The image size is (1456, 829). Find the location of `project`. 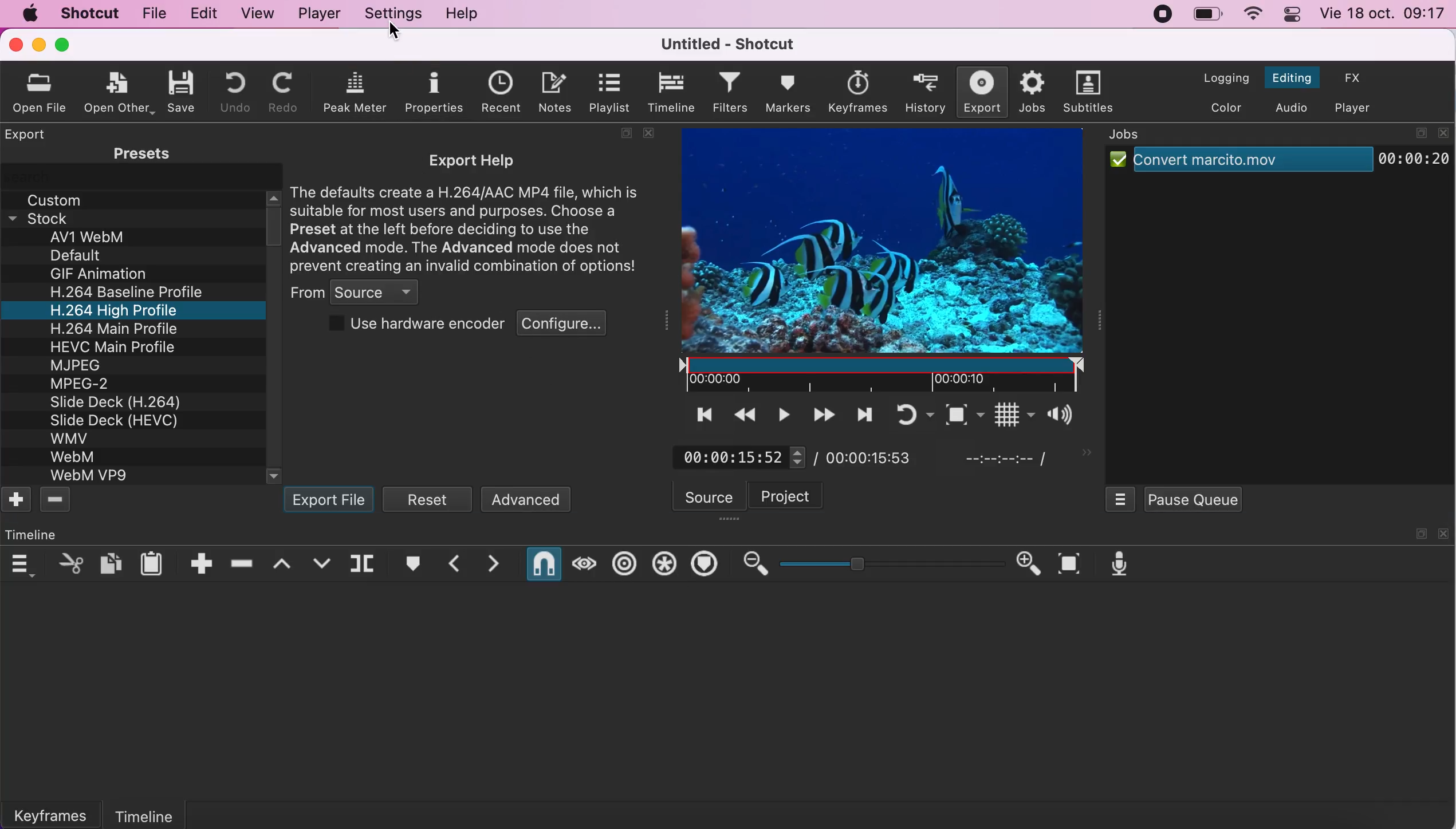

project is located at coordinates (804, 495).